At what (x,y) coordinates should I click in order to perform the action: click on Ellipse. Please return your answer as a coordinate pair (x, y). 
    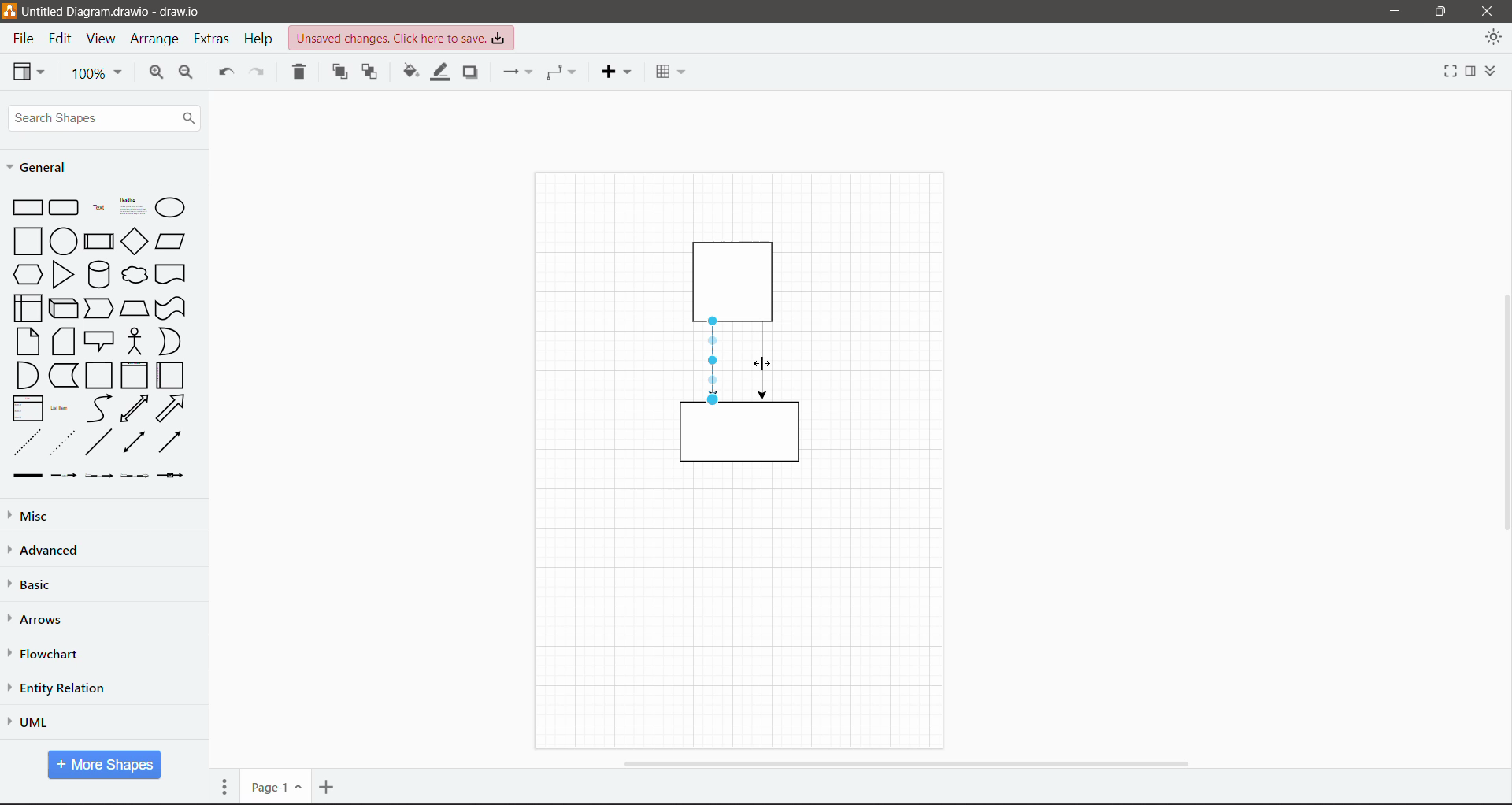
    Looking at the image, I should click on (170, 208).